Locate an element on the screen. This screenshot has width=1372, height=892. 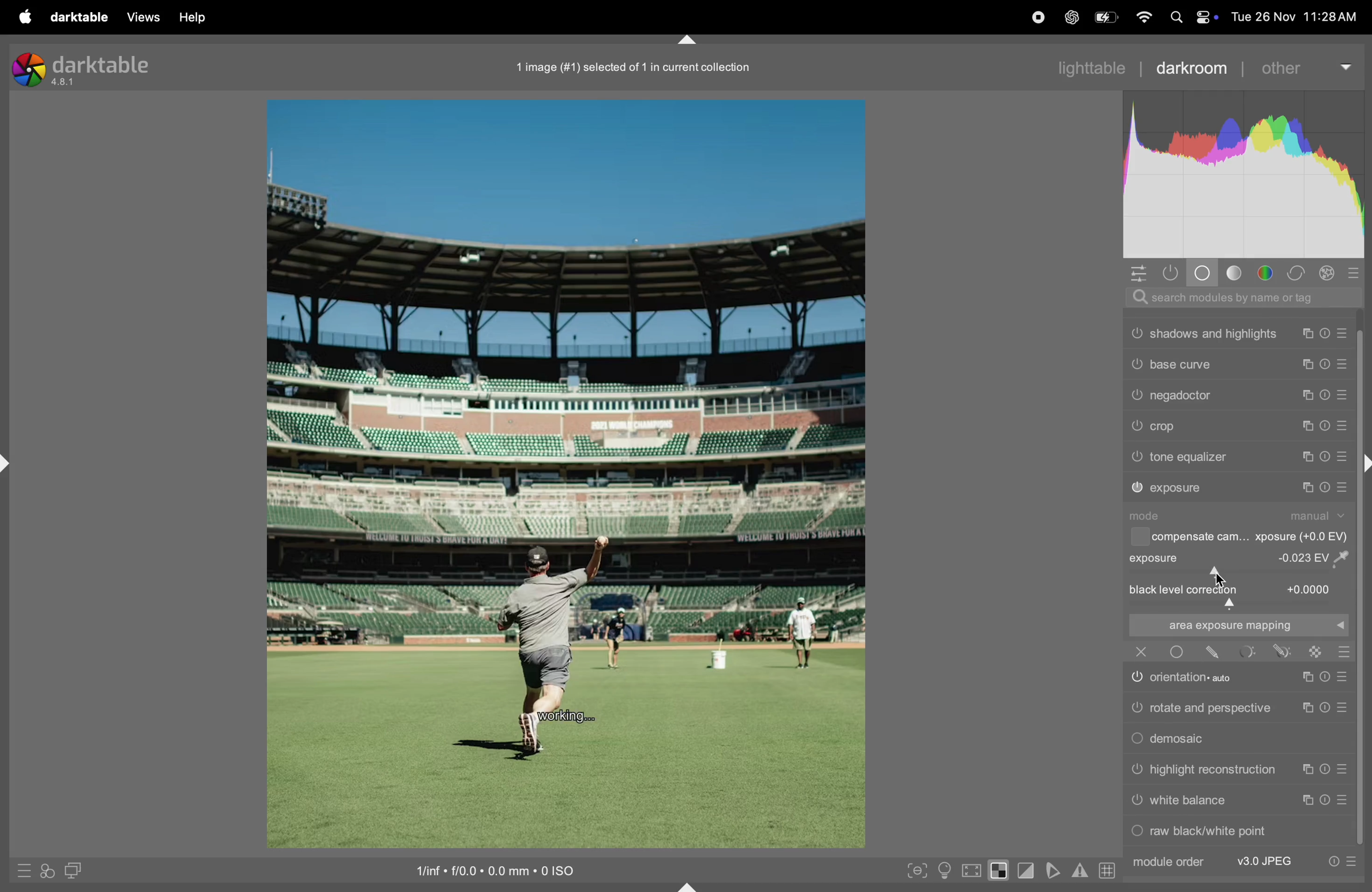
close is located at coordinates (1141, 651).